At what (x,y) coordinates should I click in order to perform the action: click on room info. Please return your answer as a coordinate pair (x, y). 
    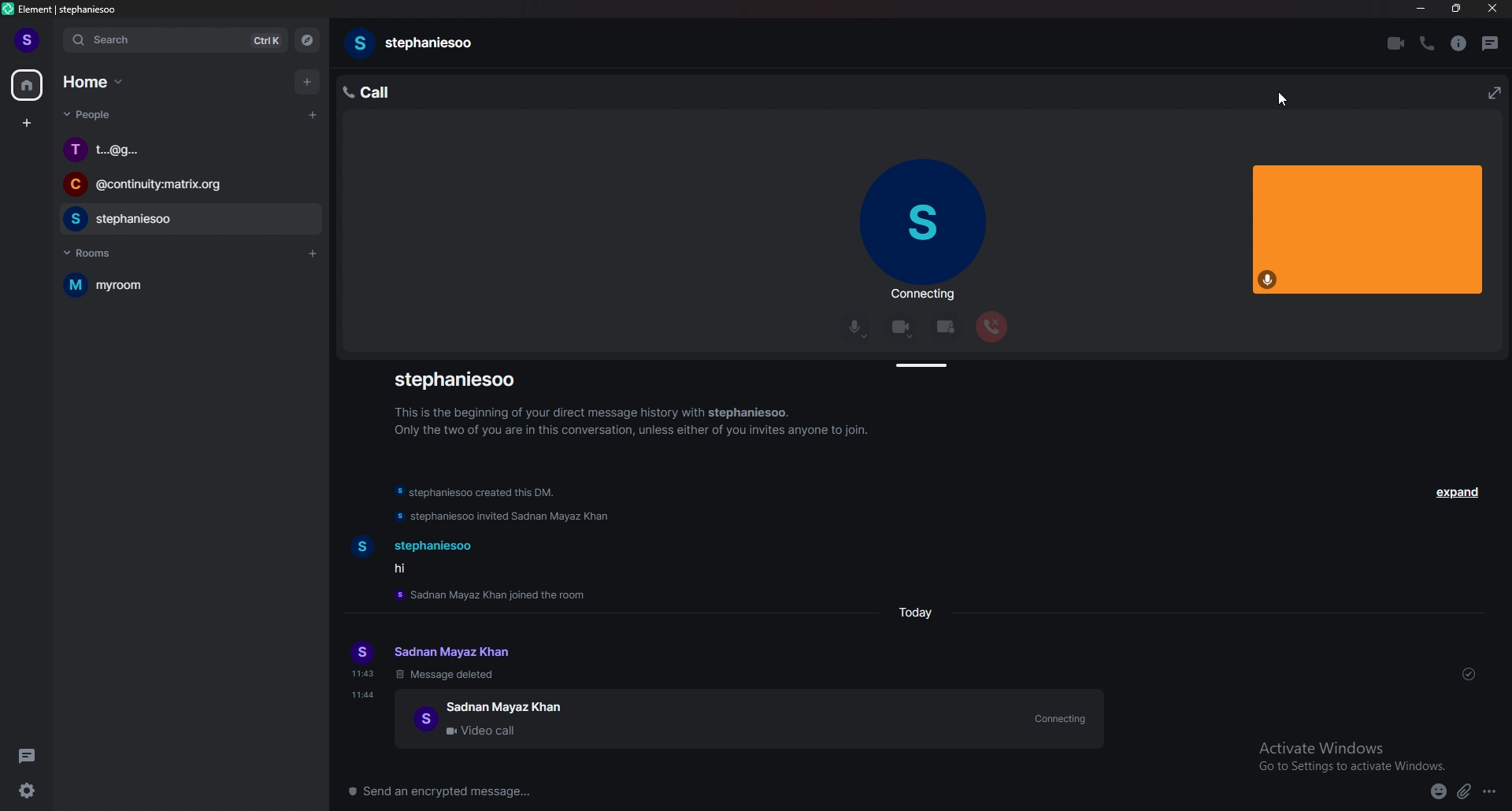
    Looking at the image, I should click on (1458, 43).